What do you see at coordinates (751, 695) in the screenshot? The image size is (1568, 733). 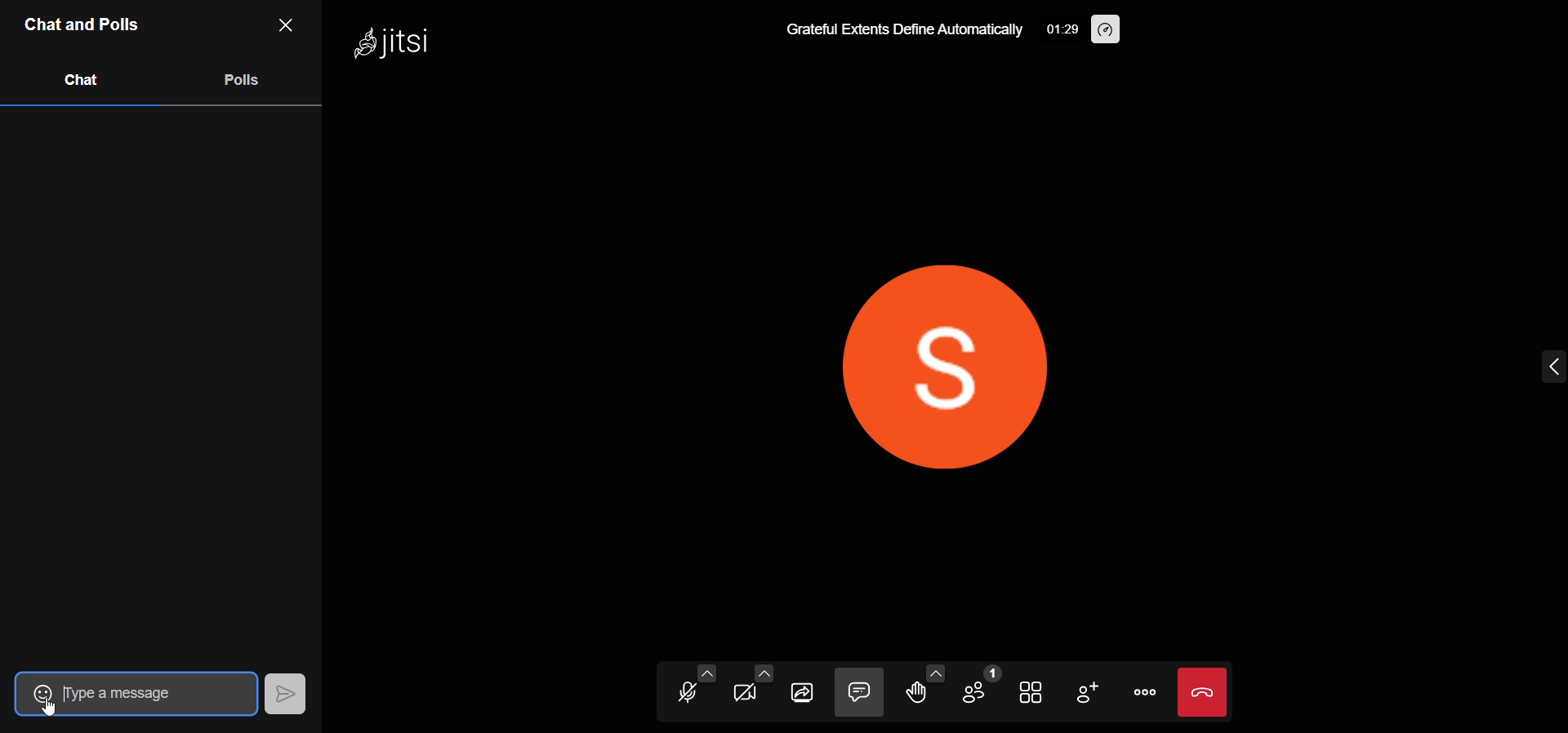 I see `video` at bounding box center [751, 695].